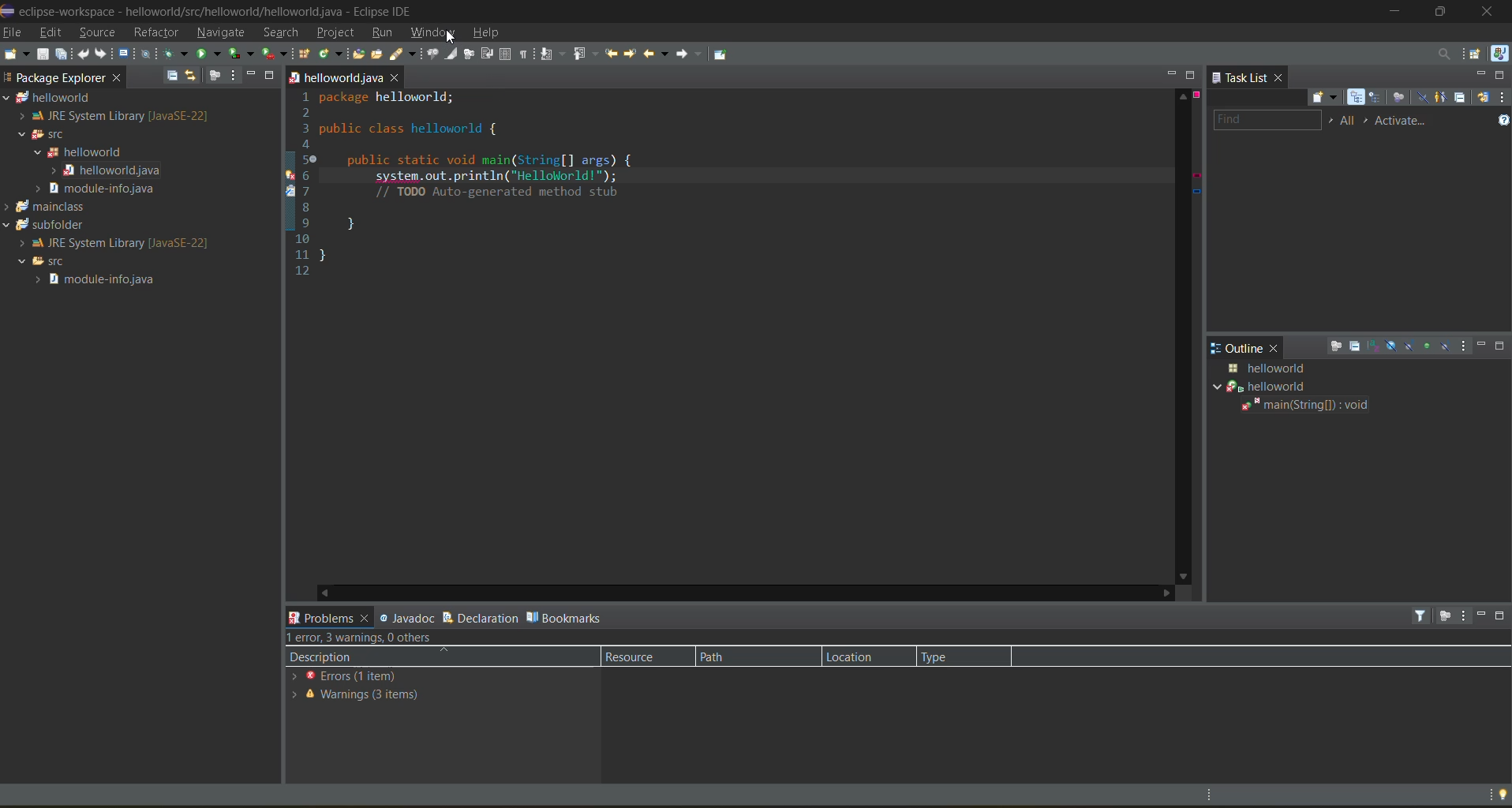  I want to click on helloworld, so click(100, 150).